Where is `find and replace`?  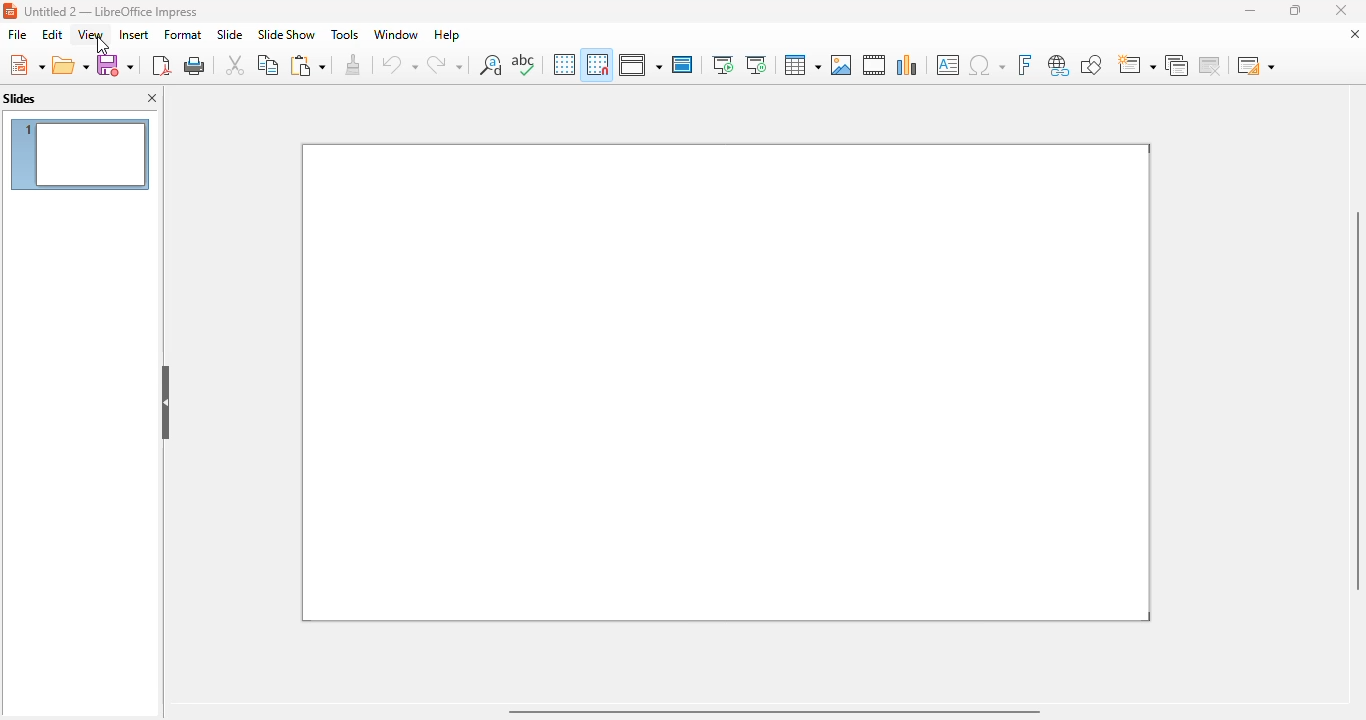
find and replace is located at coordinates (491, 64).